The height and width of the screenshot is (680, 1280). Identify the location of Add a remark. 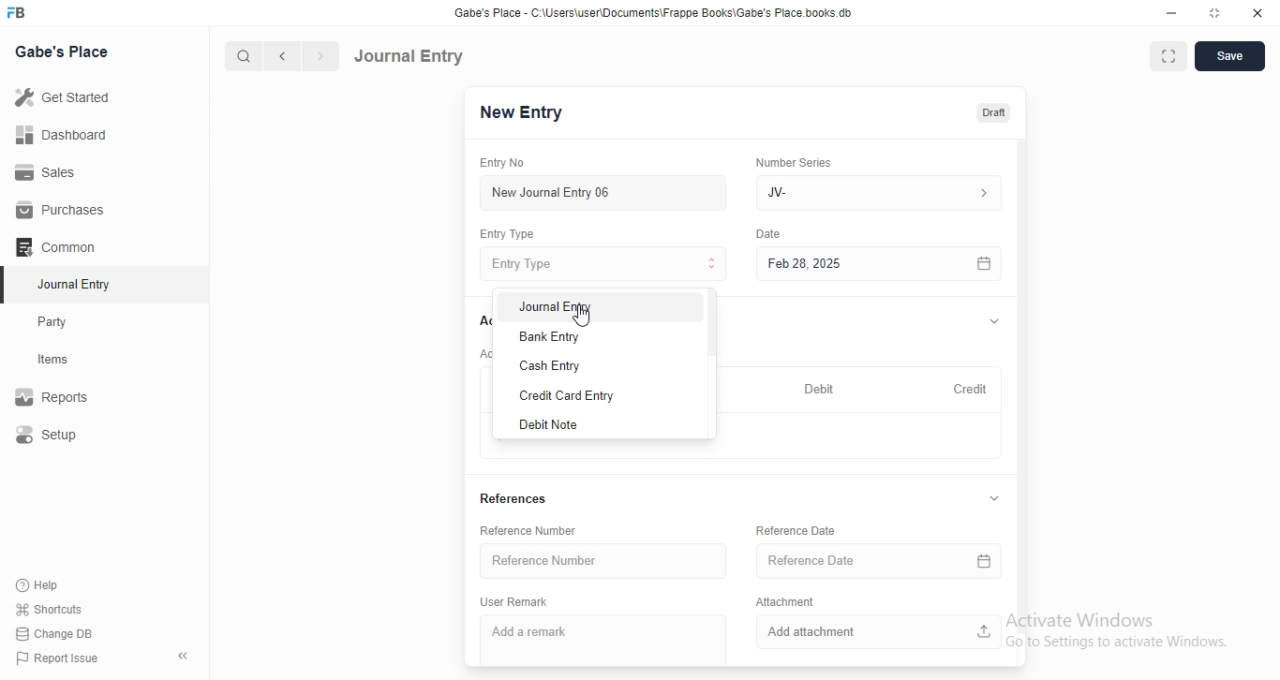
(606, 636).